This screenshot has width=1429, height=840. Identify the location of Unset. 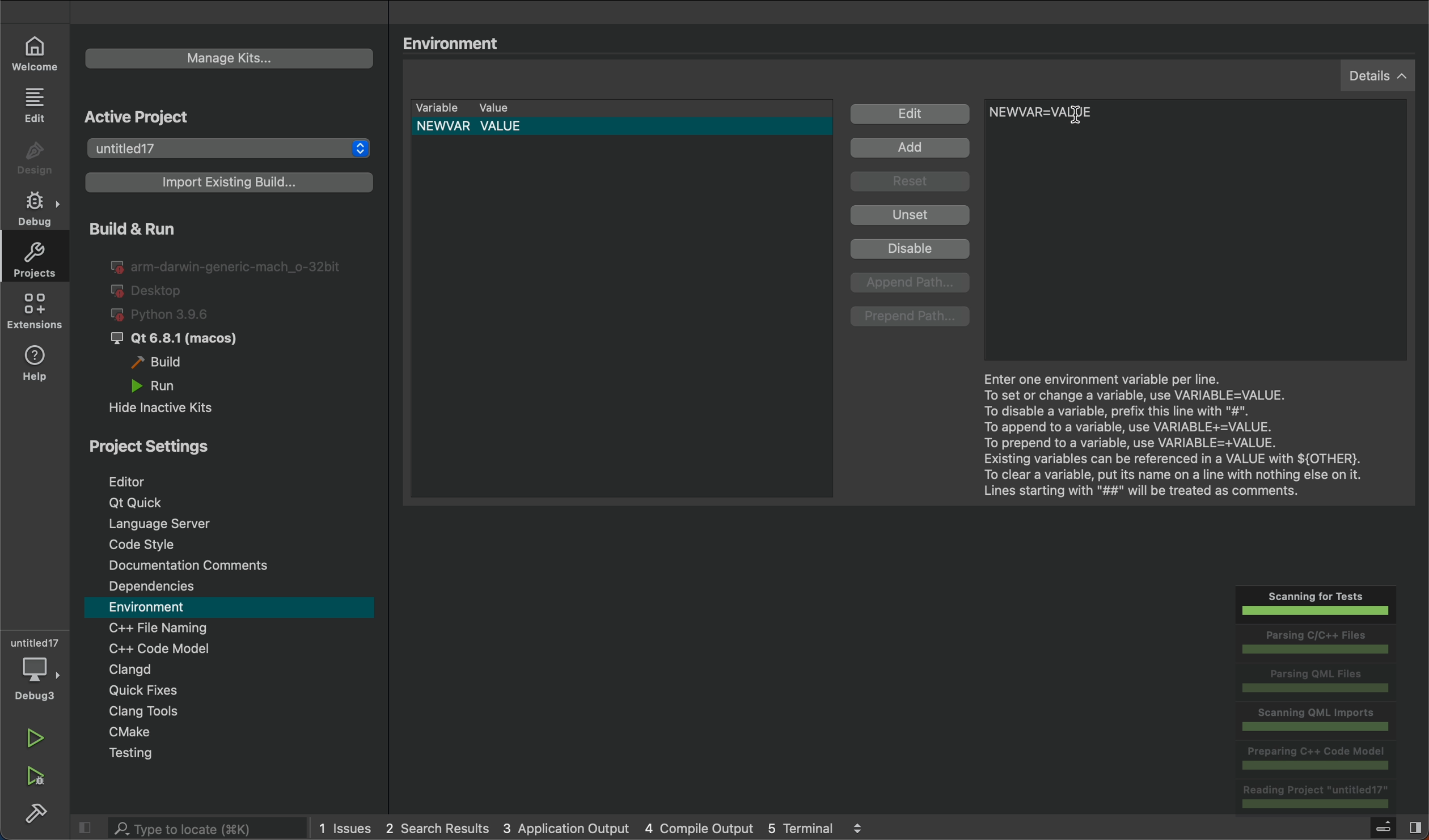
(911, 215).